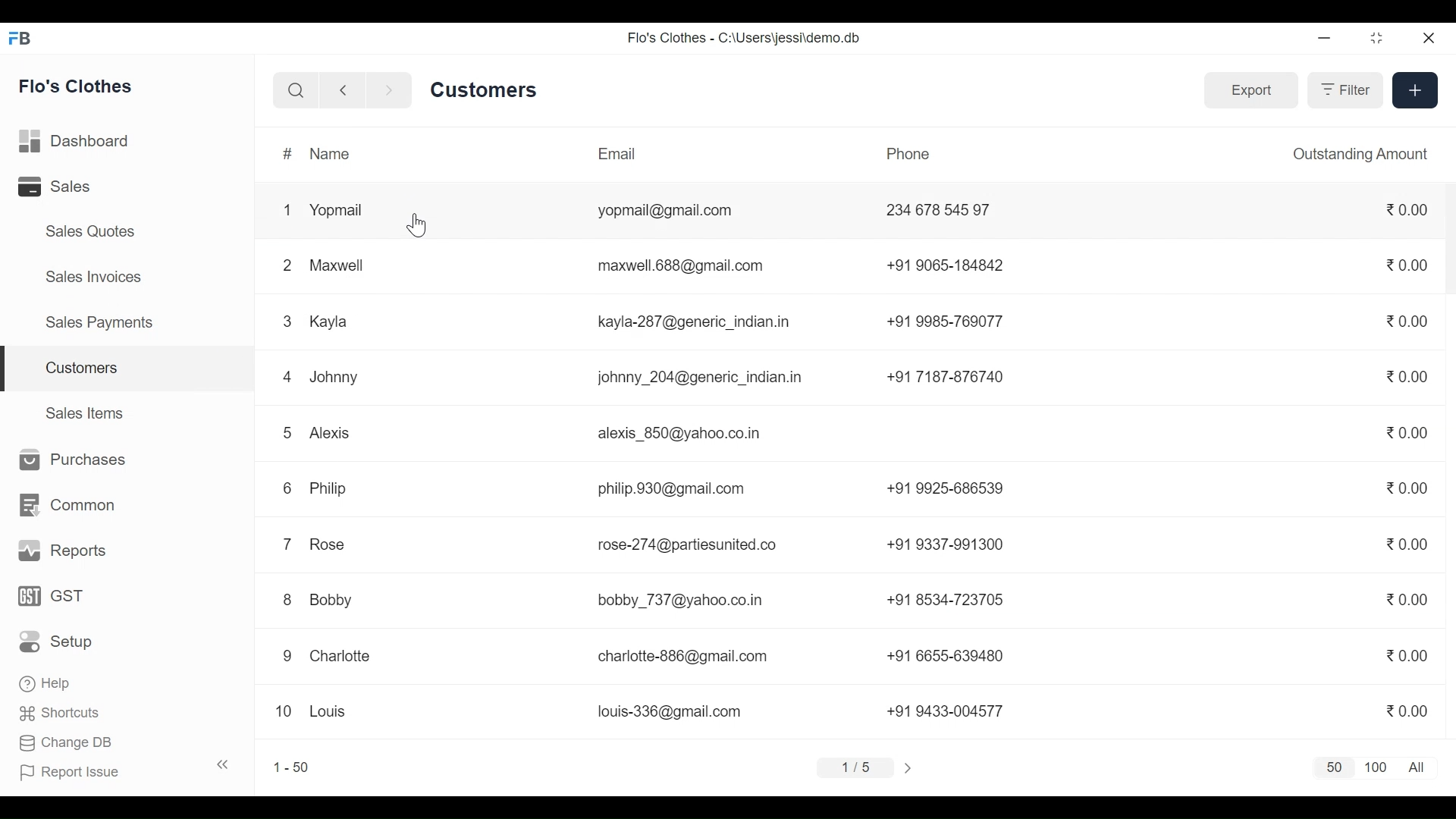 The image size is (1456, 819). I want to click on Kayla, so click(330, 320).